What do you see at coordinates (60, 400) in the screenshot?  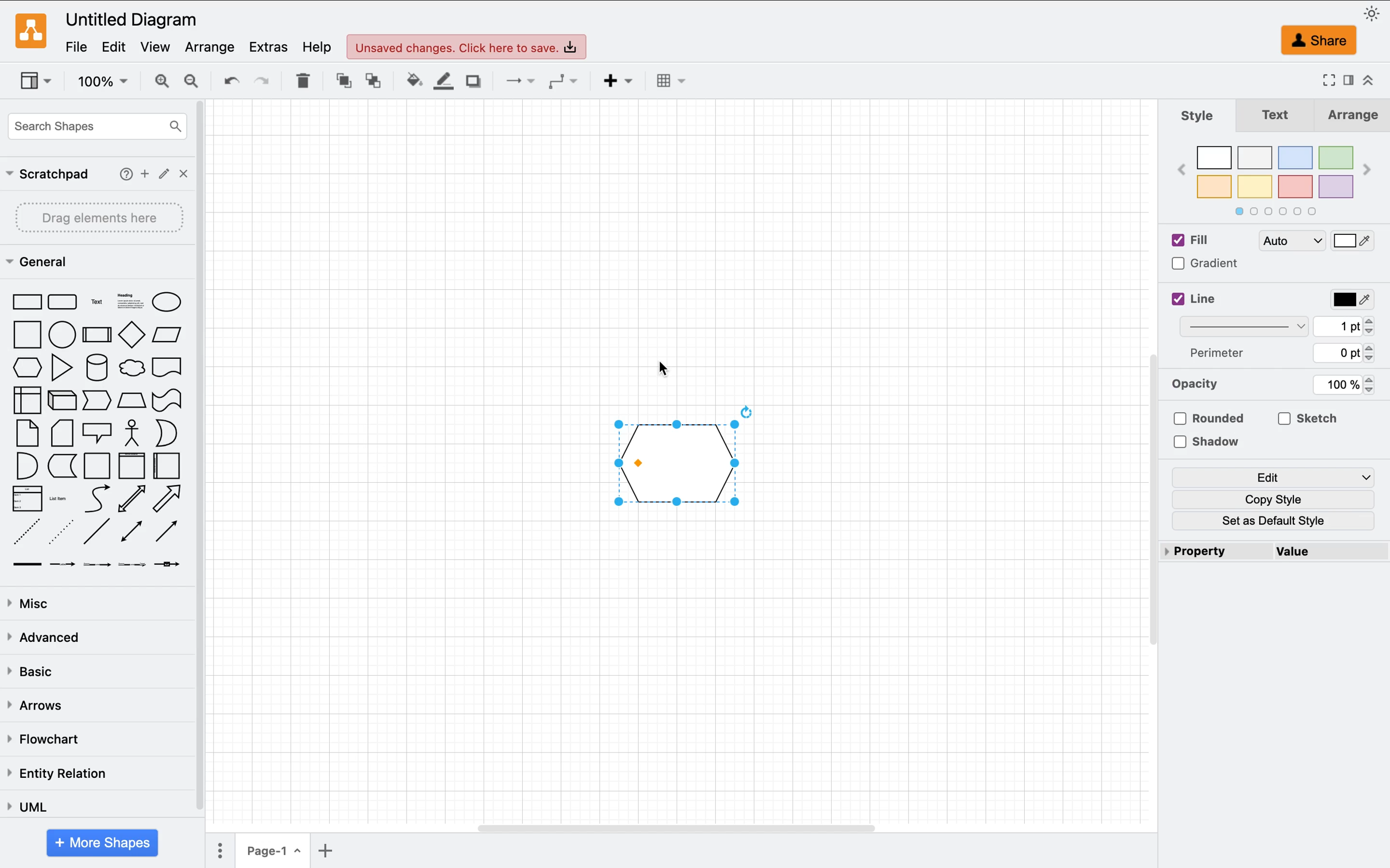 I see `cube` at bounding box center [60, 400].